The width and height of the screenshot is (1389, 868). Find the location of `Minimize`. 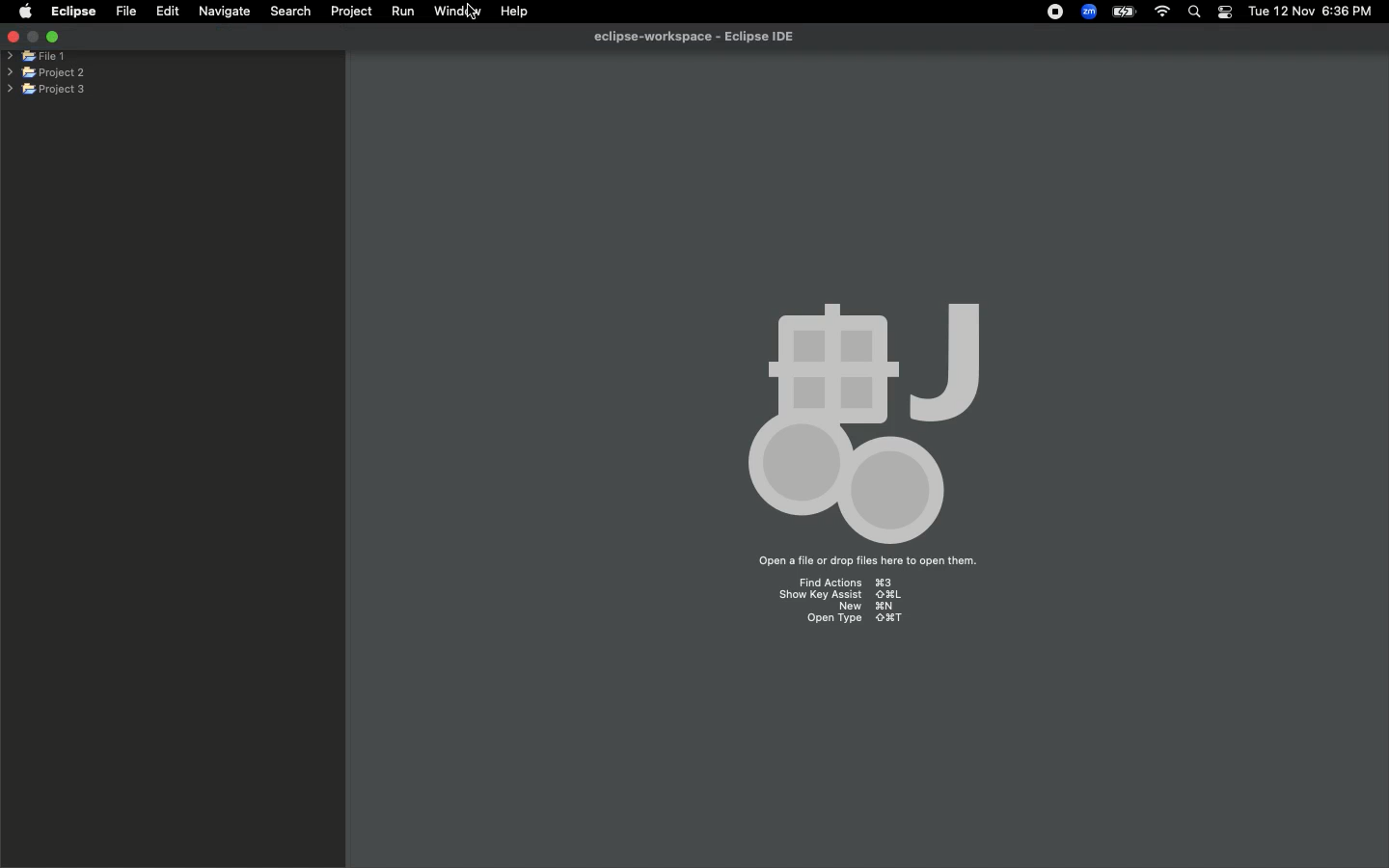

Minimize is located at coordinates (52, 36).